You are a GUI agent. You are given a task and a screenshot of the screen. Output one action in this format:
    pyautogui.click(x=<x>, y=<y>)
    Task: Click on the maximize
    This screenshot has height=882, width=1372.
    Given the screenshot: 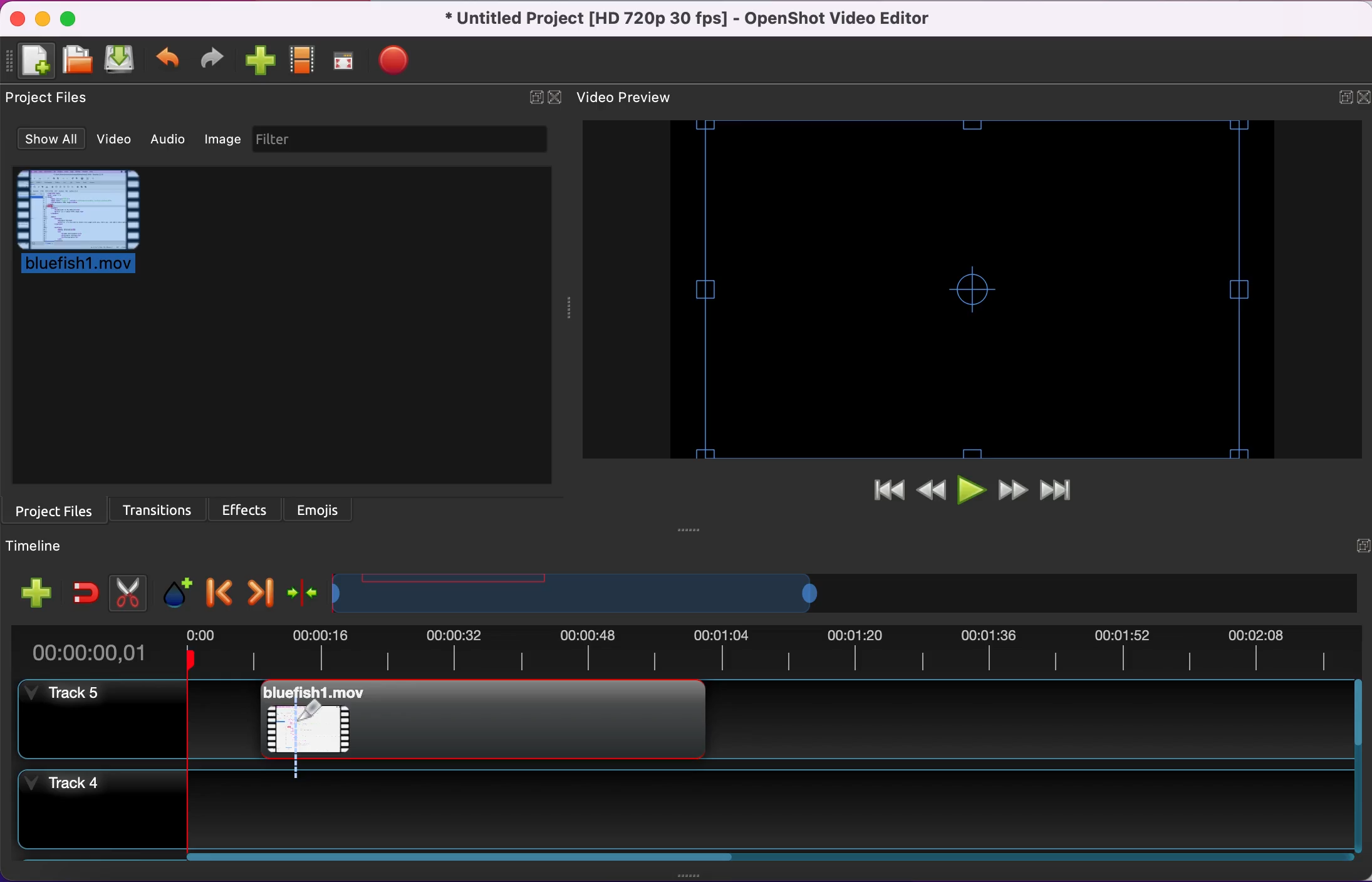 What is the action you would take?
    pyautogui.click(x=72, y=19)
    